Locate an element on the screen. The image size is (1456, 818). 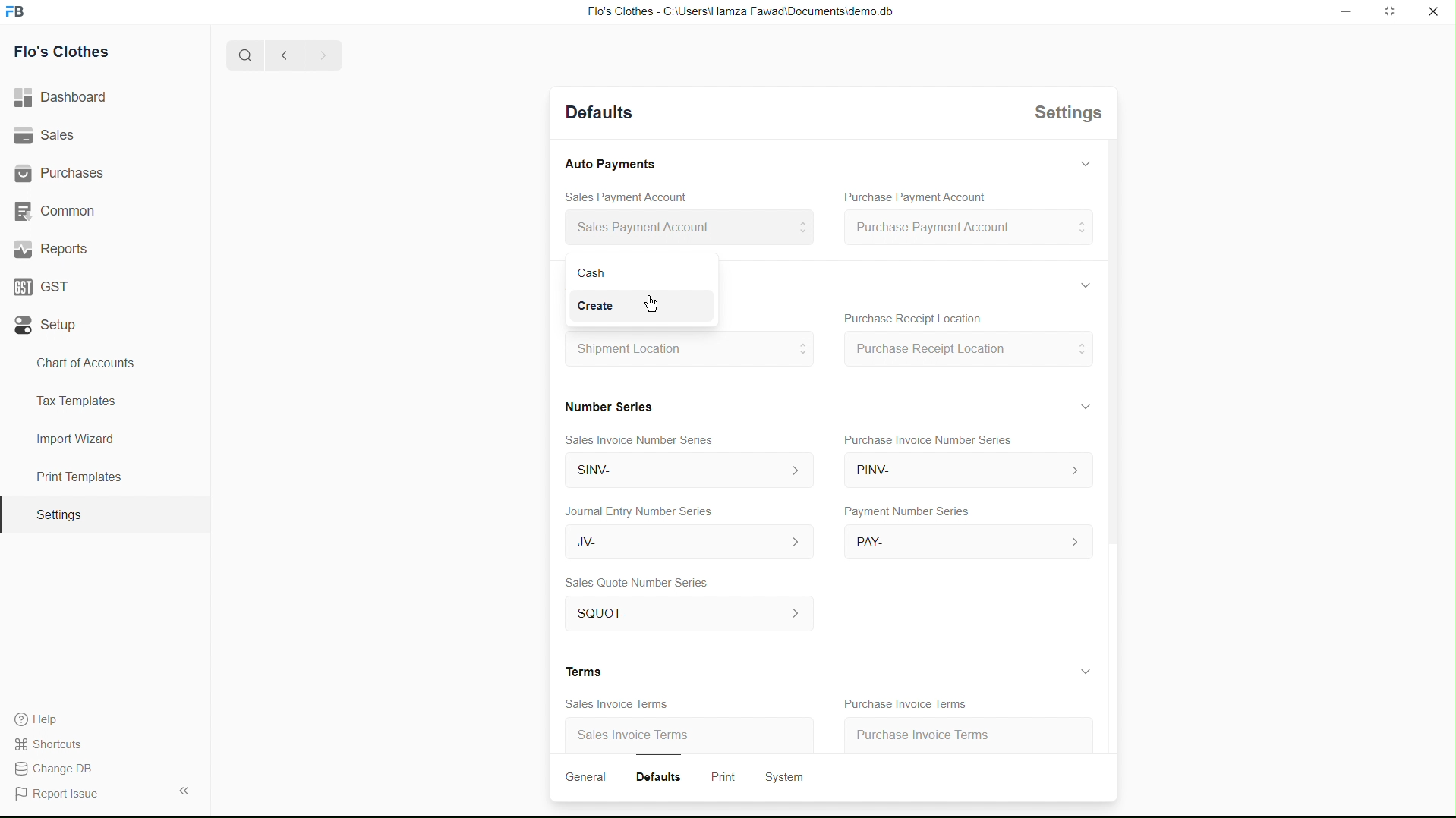
Flo's Clothes is located at coordinates (68, 54).